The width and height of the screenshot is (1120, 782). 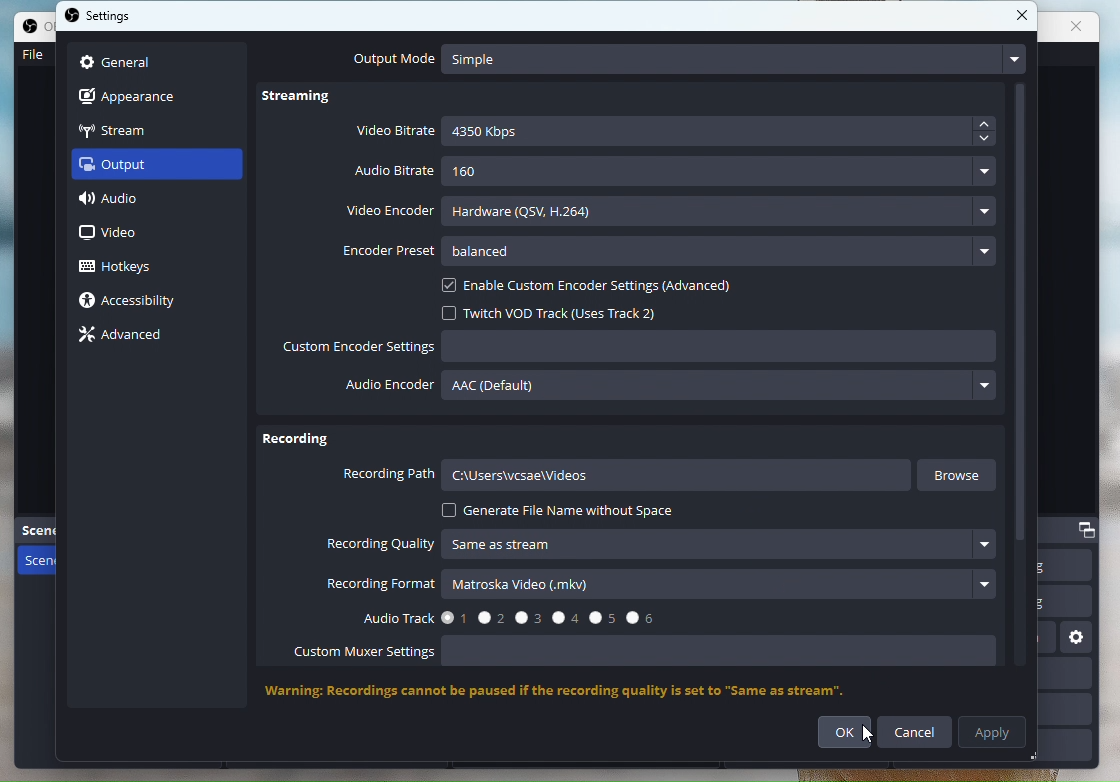 What do you see at coordinates (139, 94) in the screenshot?
I see `Apperance` at bounding box center [139, 94].